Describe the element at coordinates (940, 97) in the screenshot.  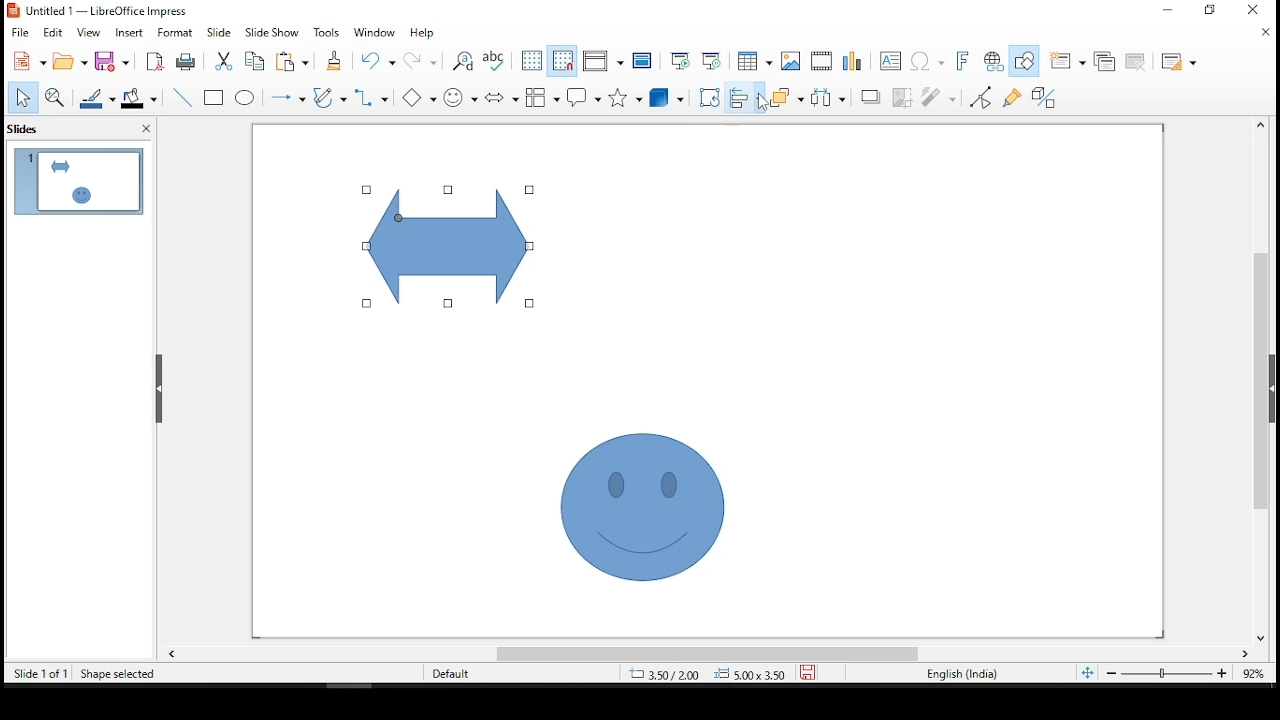
I see `filter` at that location.